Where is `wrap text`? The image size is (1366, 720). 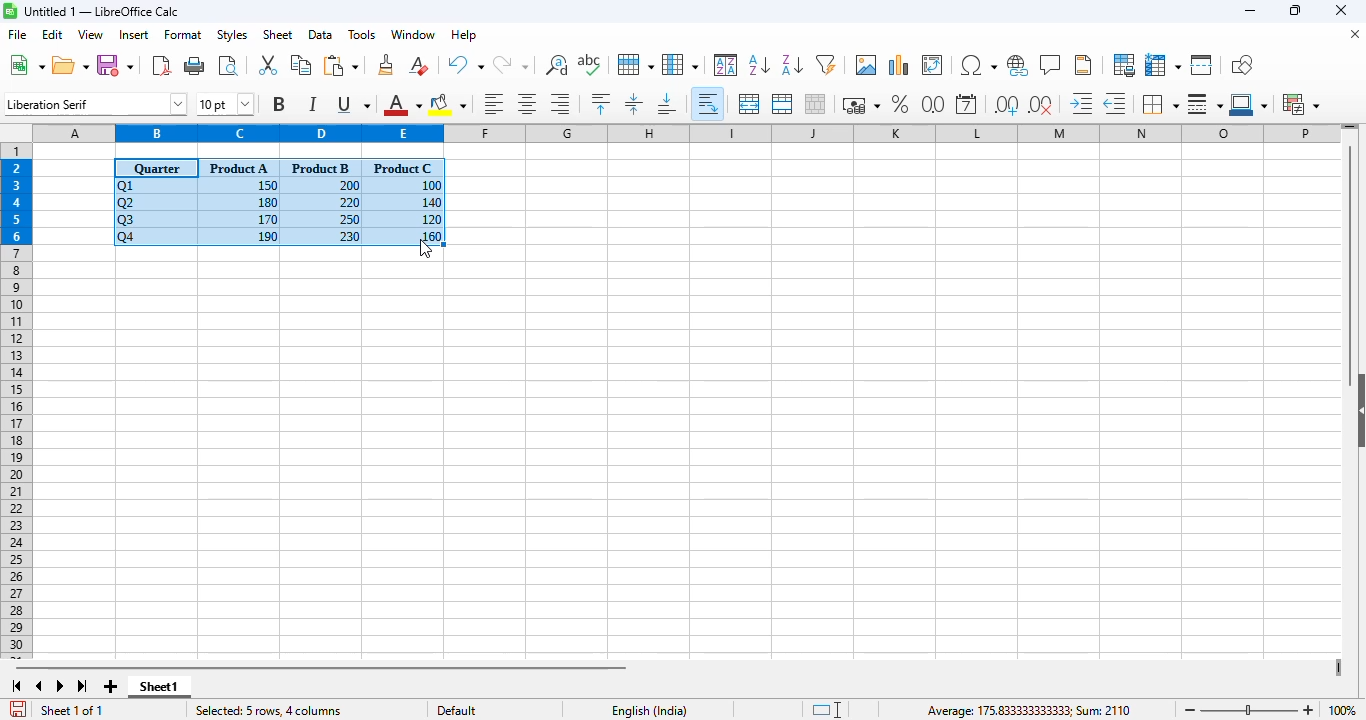
wrap text is located at coordinates (709, 104).